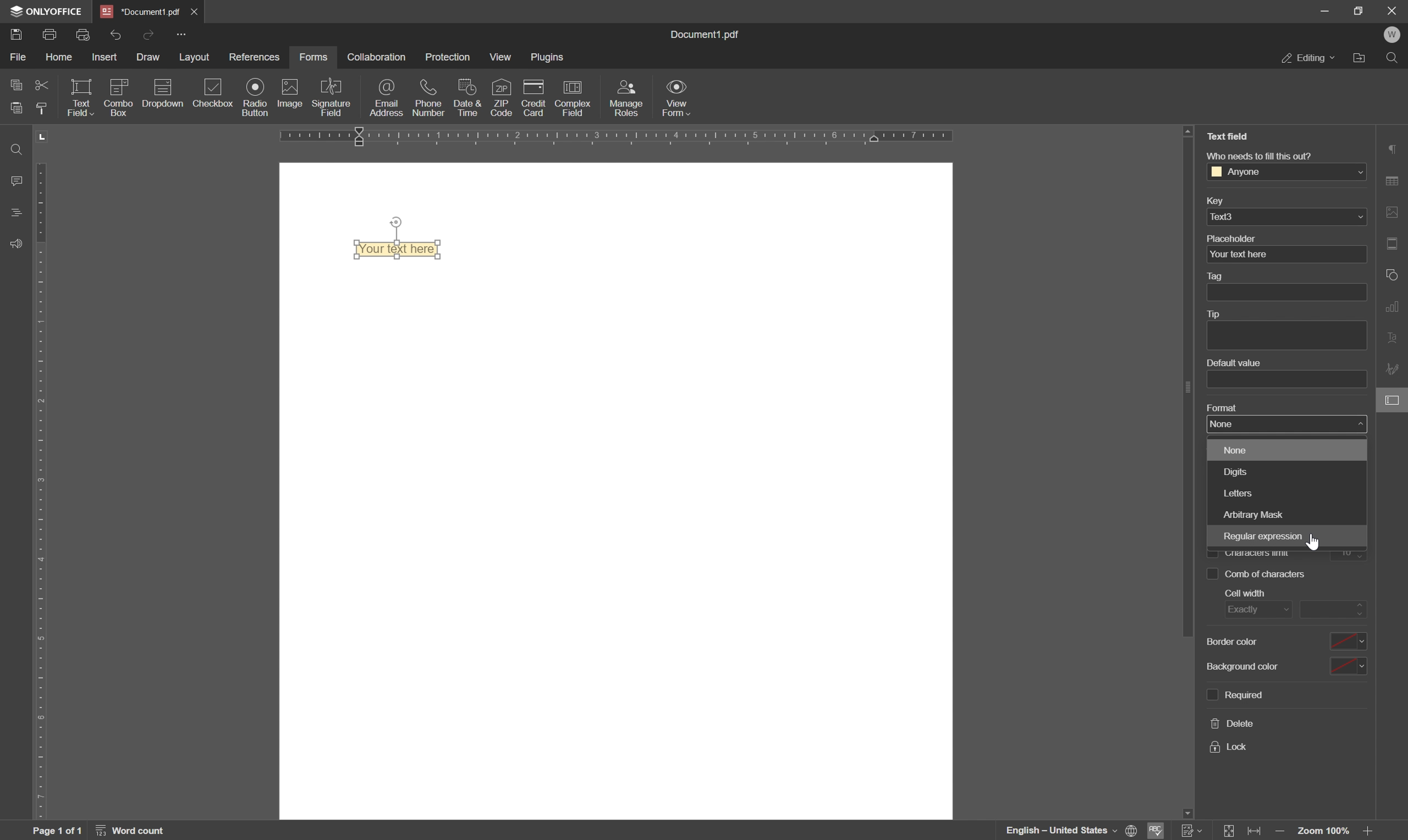  I want to click on manage roles, so click(628, 97).